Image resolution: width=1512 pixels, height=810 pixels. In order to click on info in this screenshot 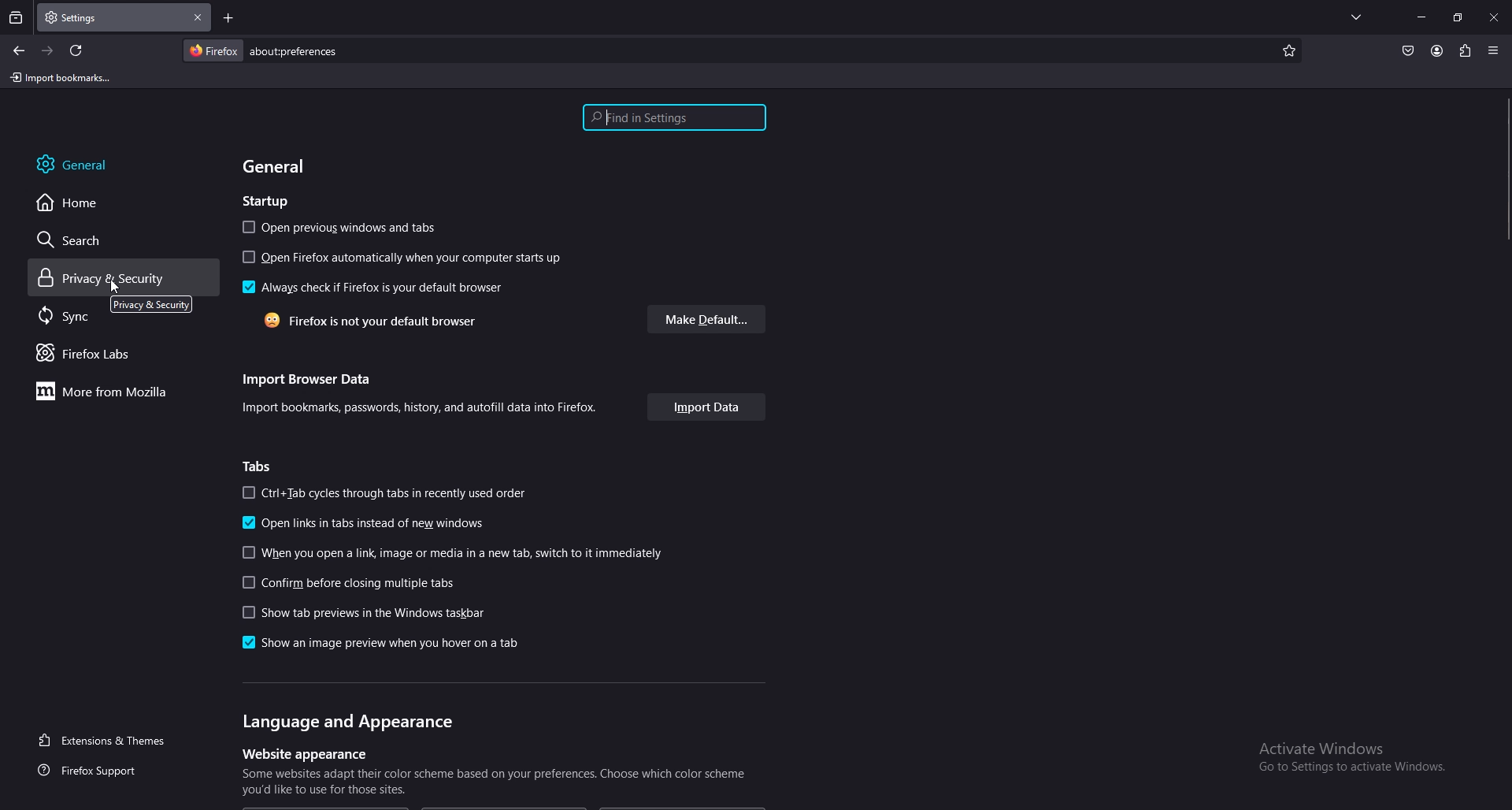, I will do `click(417, 408)`.